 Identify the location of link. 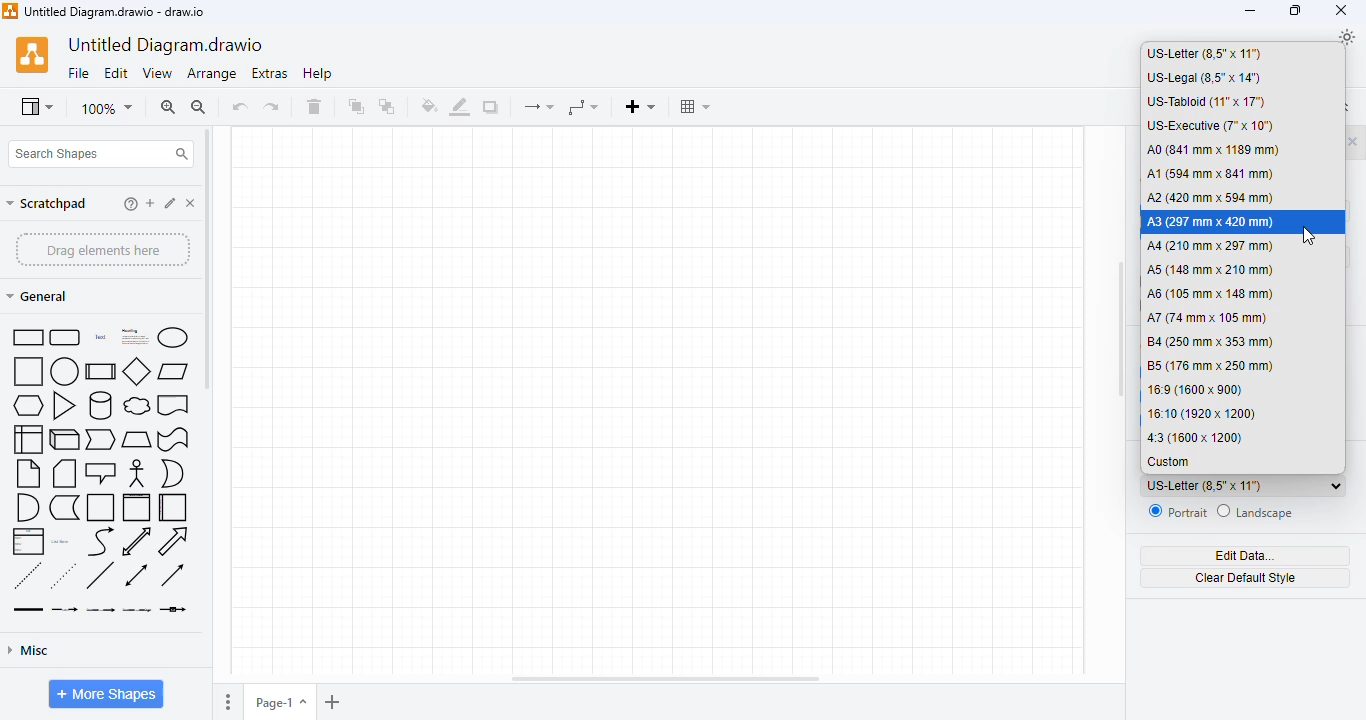
(28, 609).